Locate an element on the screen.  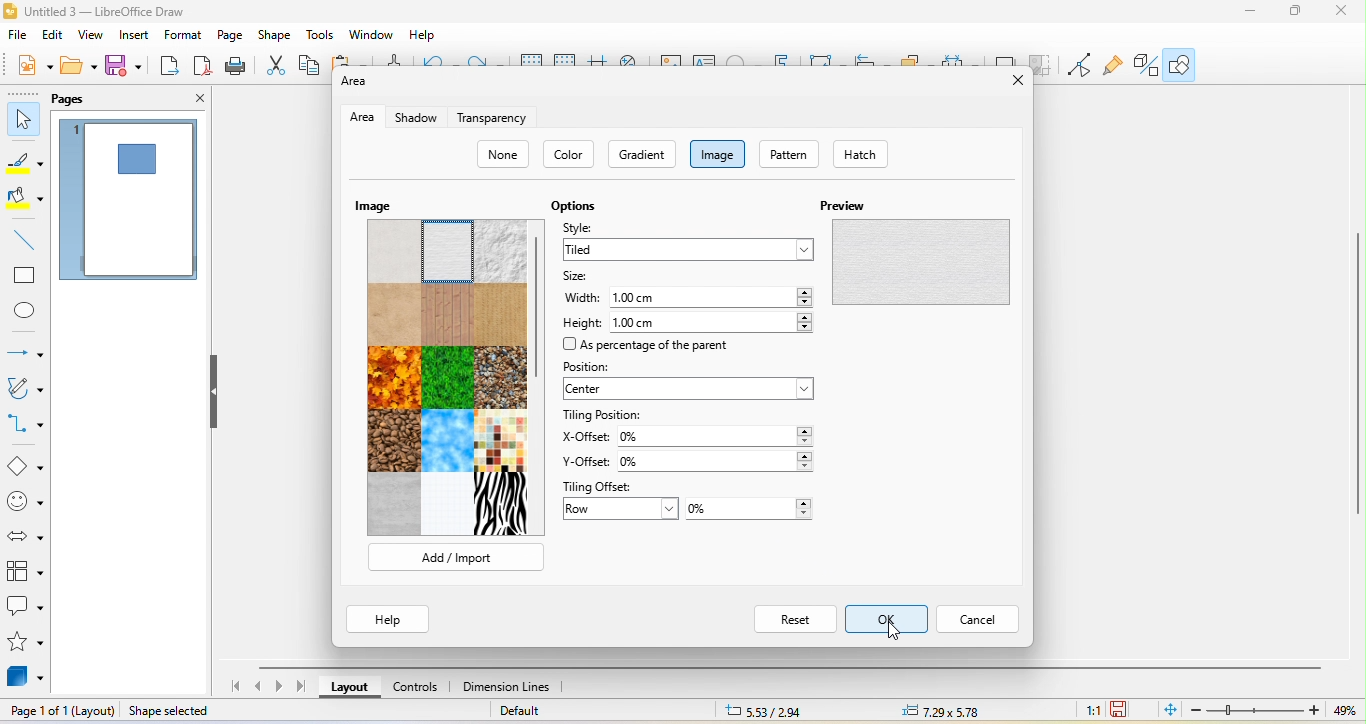
show draw function is located at coordinates (1186, 66).